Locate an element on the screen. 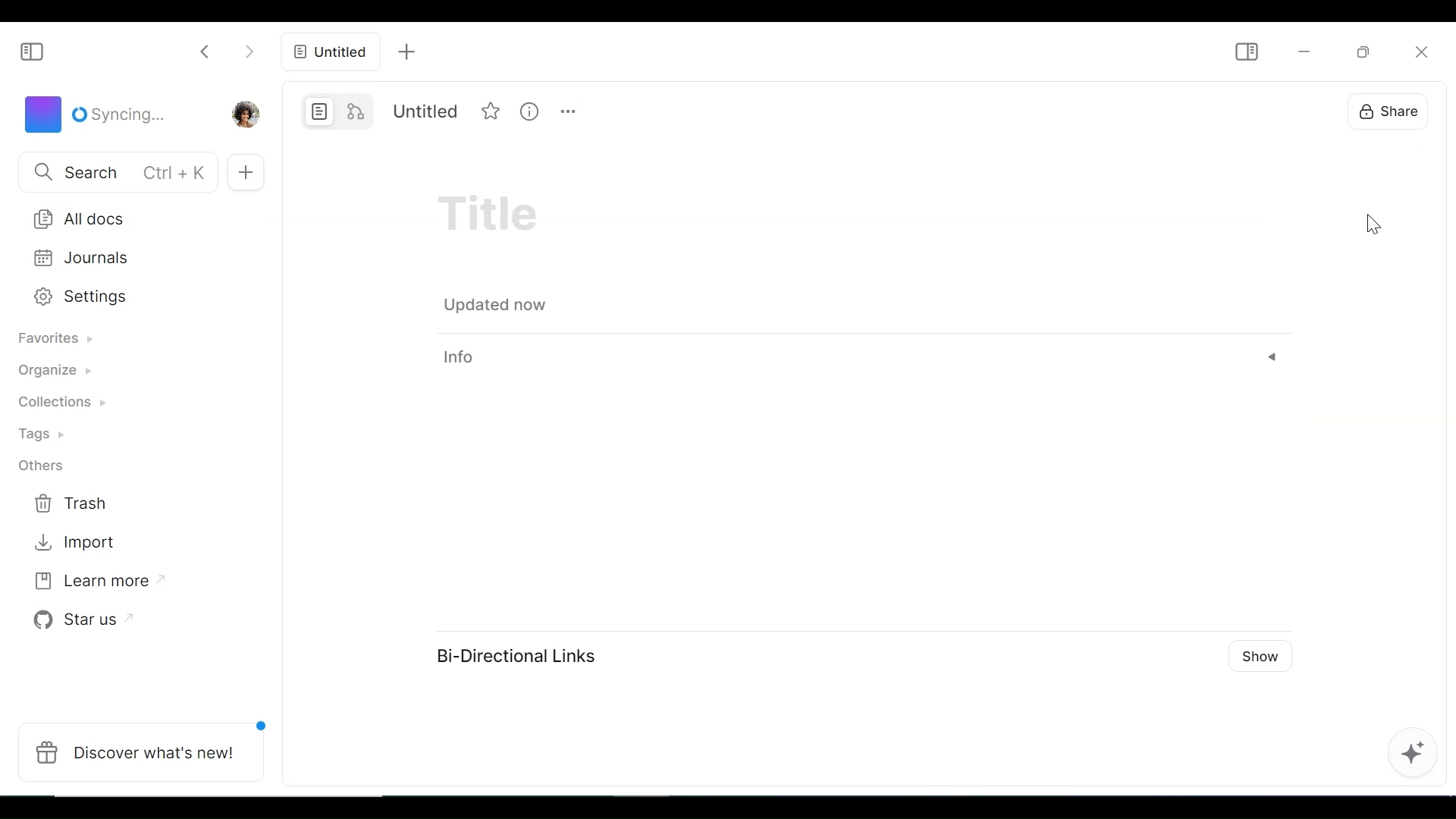 This screenshot has width=1456, height=819. Collections is located at coordinates (71, 404).